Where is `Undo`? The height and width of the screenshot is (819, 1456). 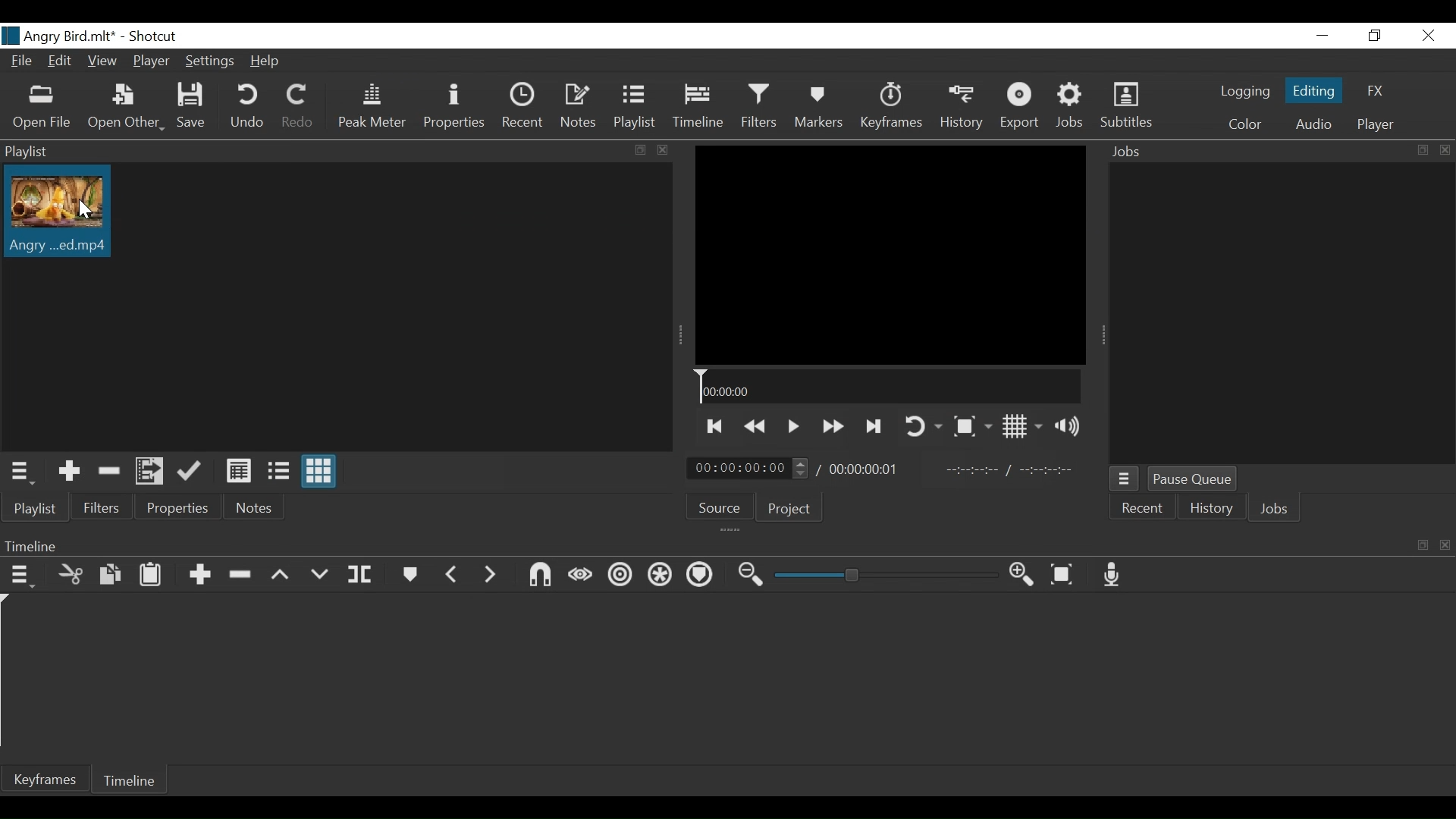 Undo is located at coordinates (246, 106).